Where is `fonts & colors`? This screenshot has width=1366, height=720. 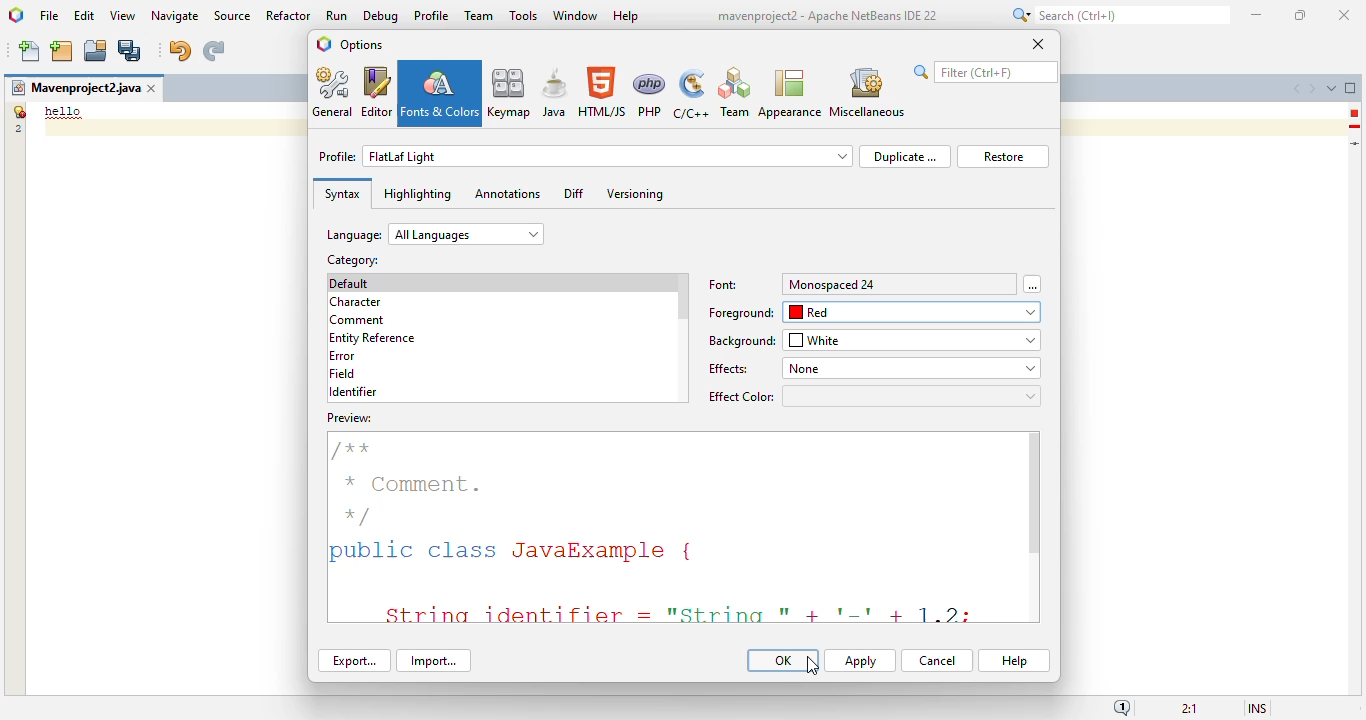 fonts & colors is located at coordinates (440, 93).